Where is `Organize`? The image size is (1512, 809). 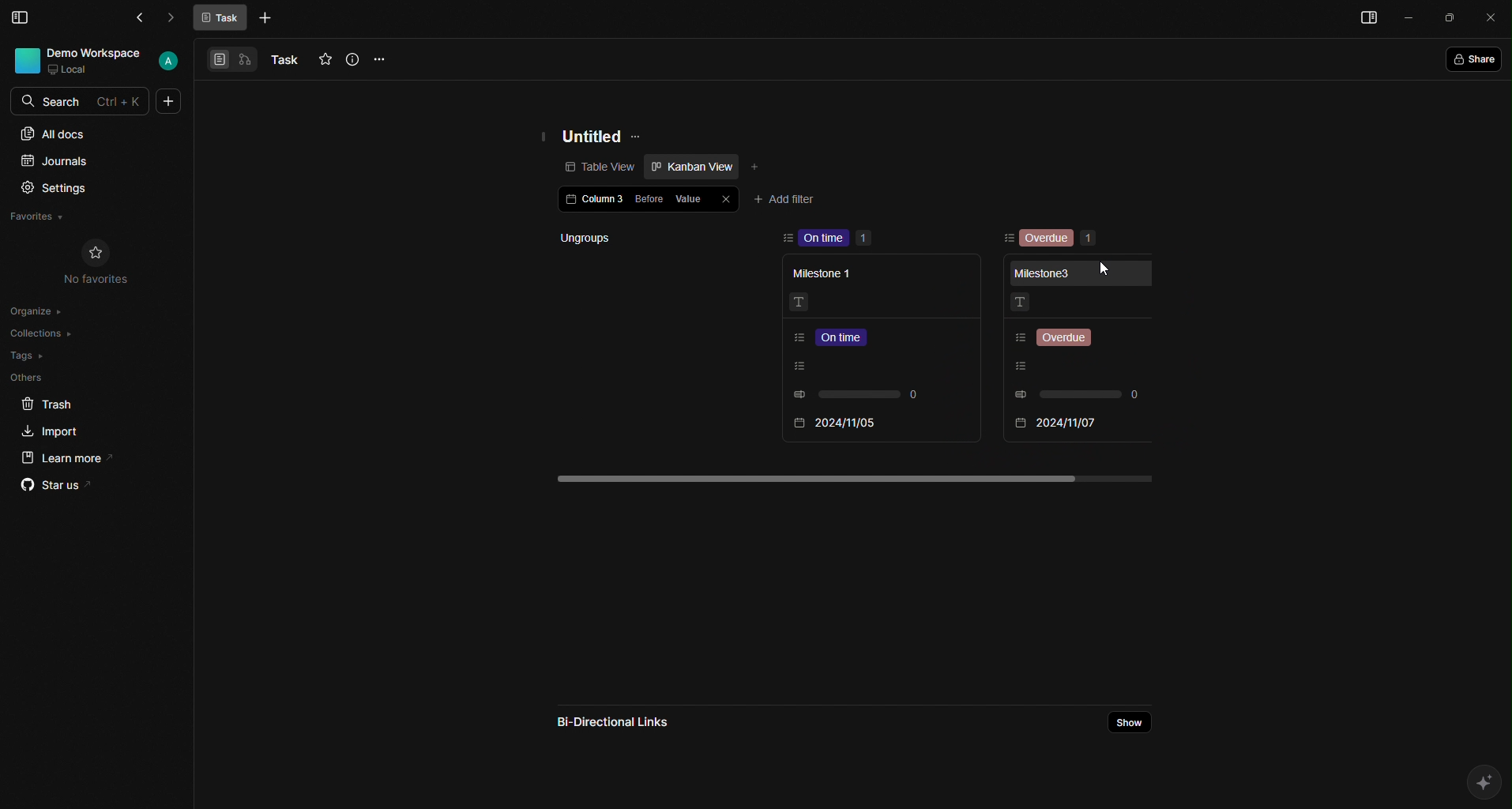
Organize is located at coordinates (41, 310).